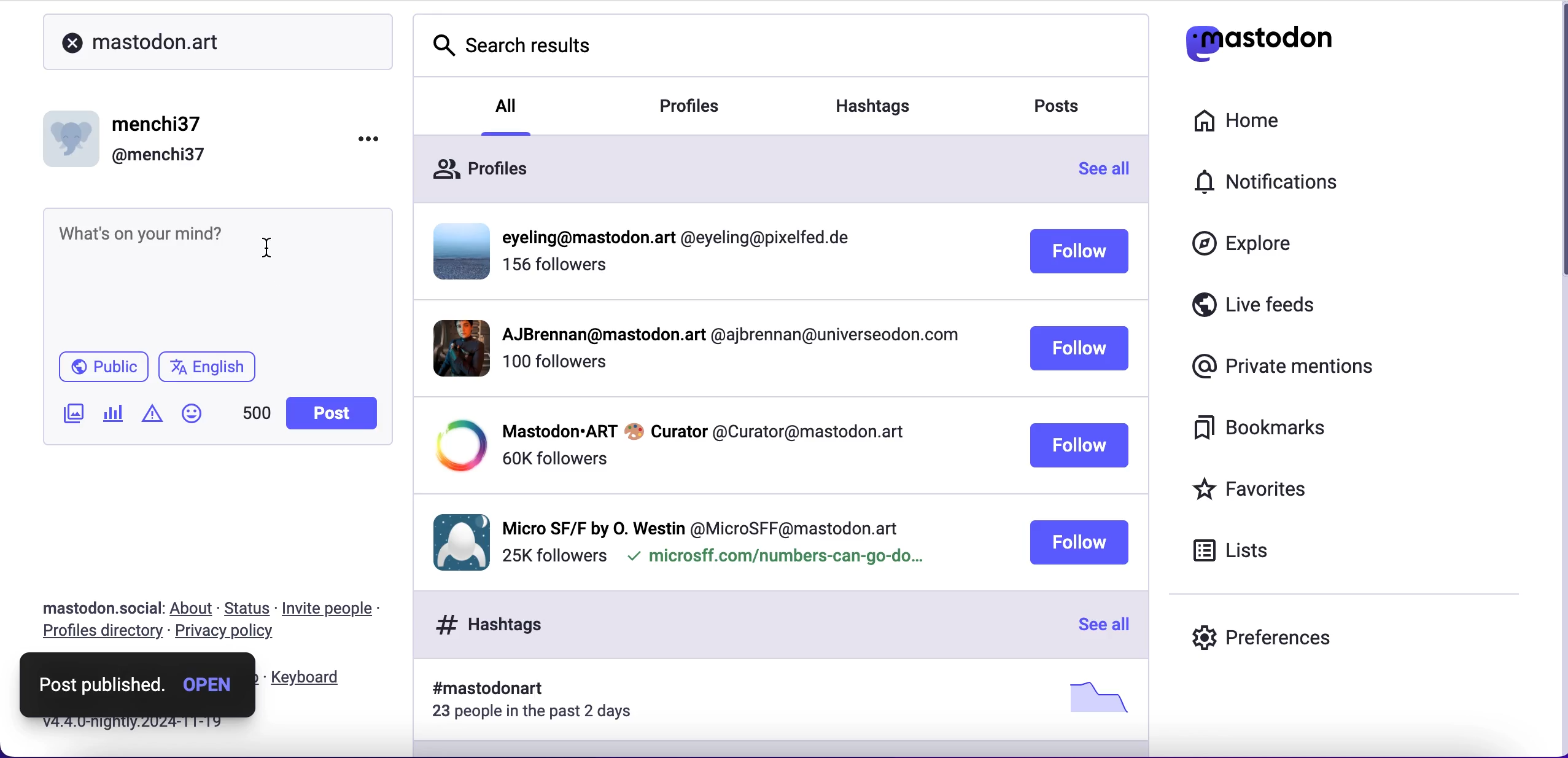 This screenshot has width=1568, height=758. Describe the element at coordinates (1282, 488) in the screenshot. I see `favorites` at that location.